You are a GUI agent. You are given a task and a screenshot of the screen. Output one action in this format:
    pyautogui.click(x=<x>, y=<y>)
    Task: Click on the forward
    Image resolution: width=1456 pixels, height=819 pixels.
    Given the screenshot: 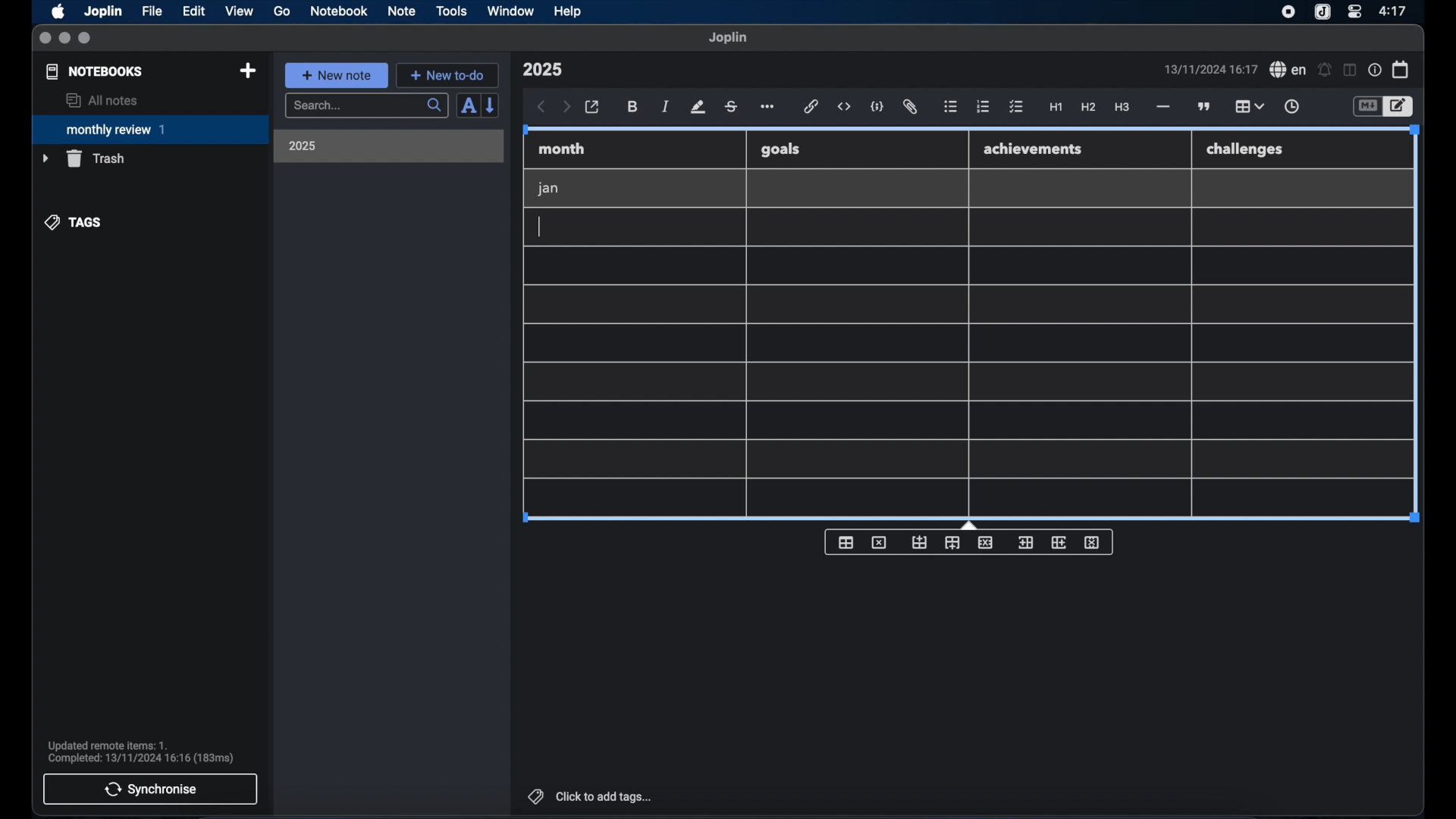 What is the action you would take?
    pyautogui.click(x=566, y=108)
    